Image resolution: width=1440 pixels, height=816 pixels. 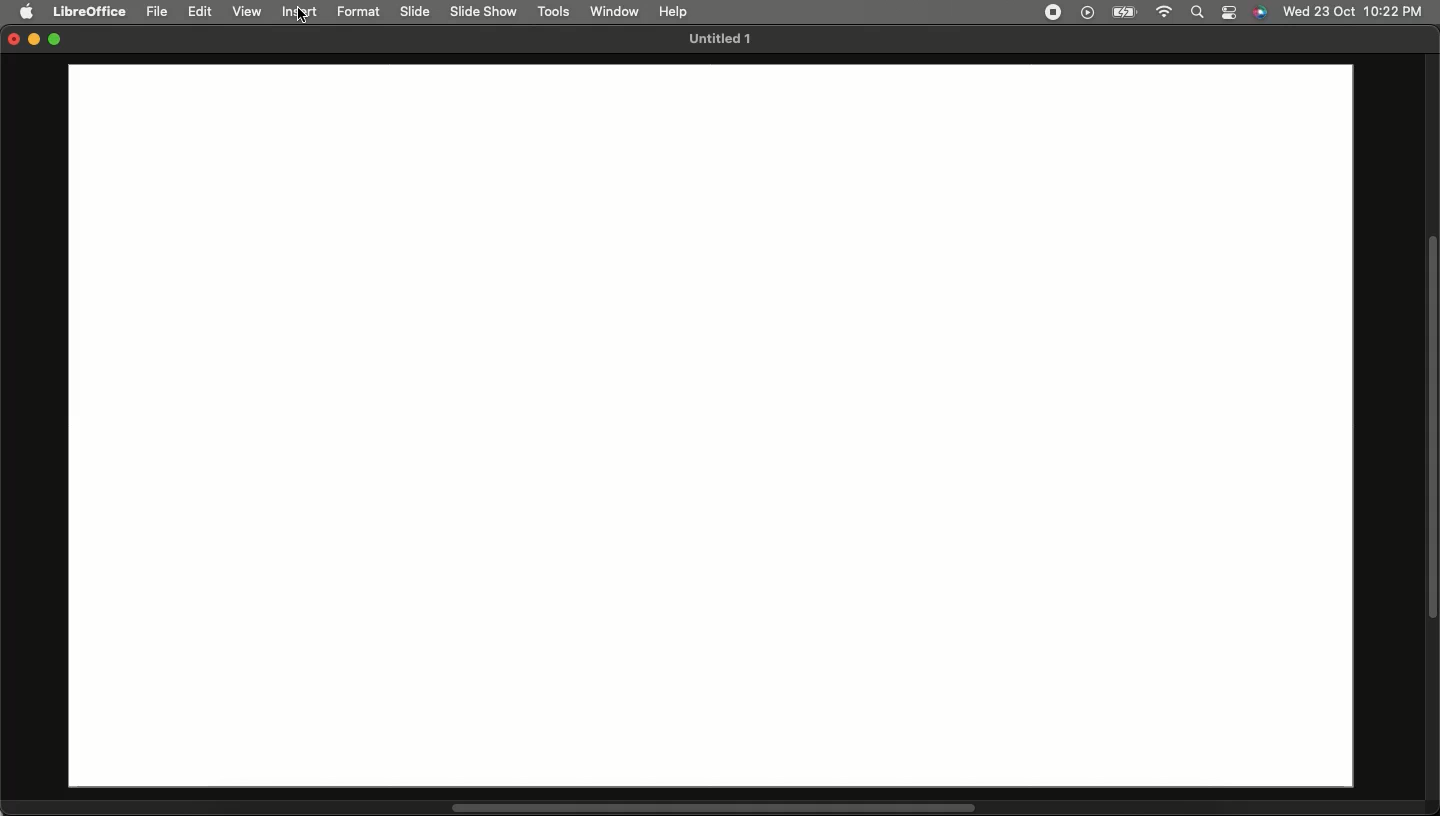 I want to click on Close, so click(x=10, y=41).